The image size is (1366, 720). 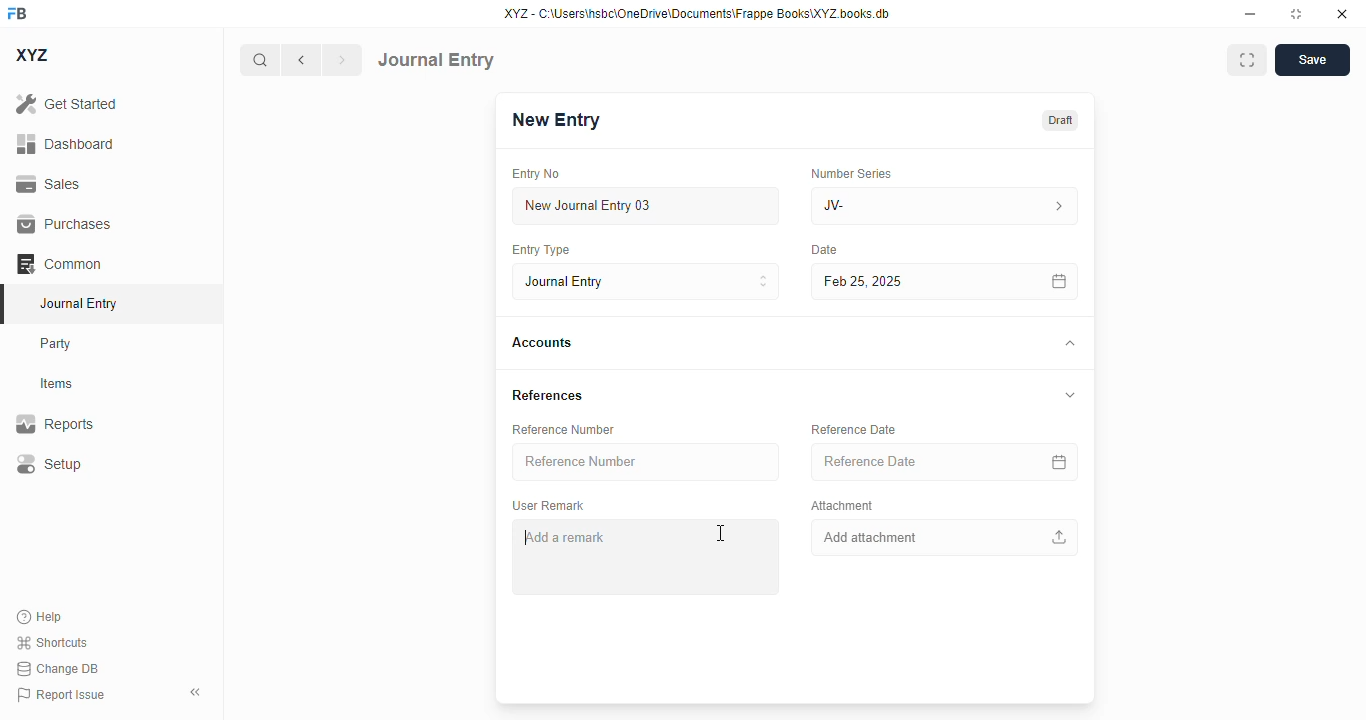 What do you see at coordinates (301, 60) in the screenshot?
I see `previous` at bounding box center [301, 60].